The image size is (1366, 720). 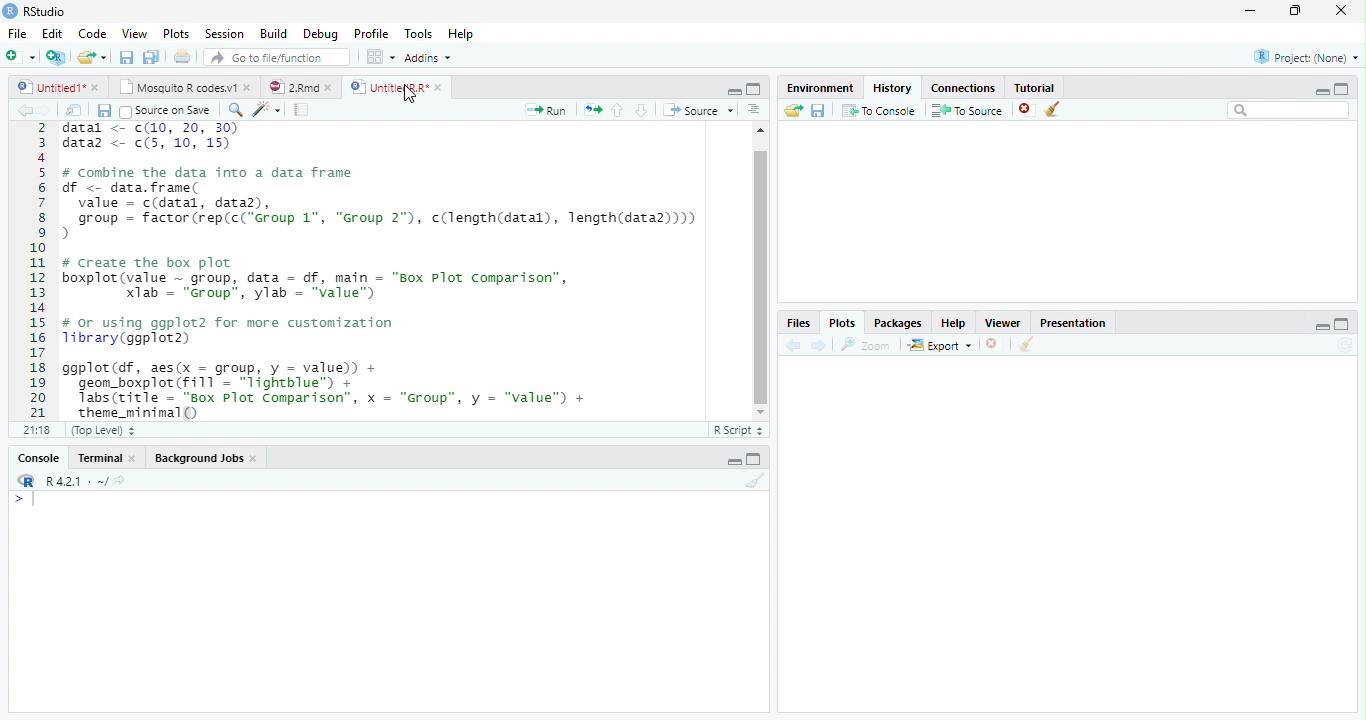 What do you see at coordinates (1251, 10) in the screenshot?
I see `minimize` at bounding box center [1251, 10].